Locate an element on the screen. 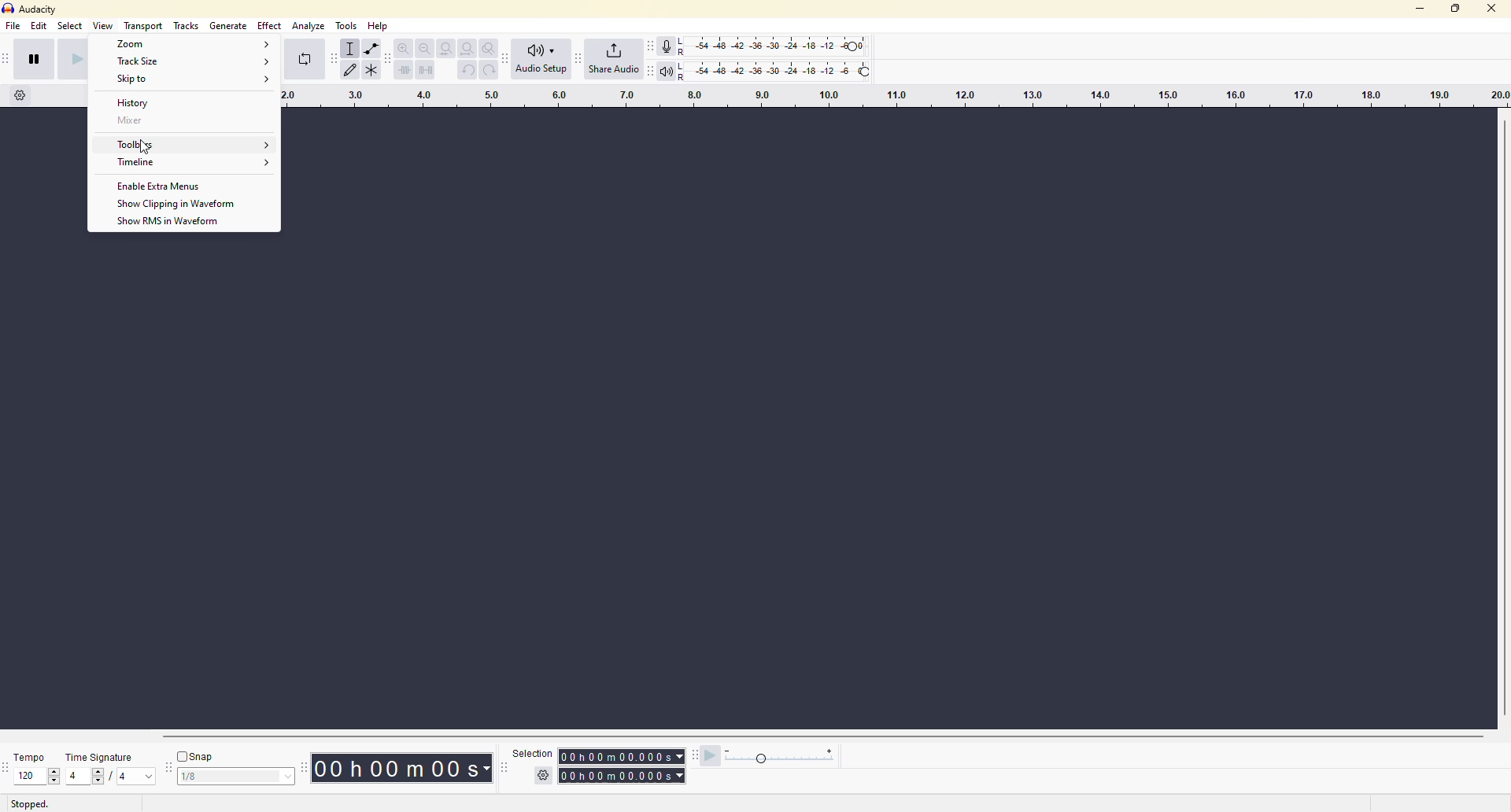 The width and height of the screenshot is (1511, 812). selection tool is located at coordinates (351, 49).